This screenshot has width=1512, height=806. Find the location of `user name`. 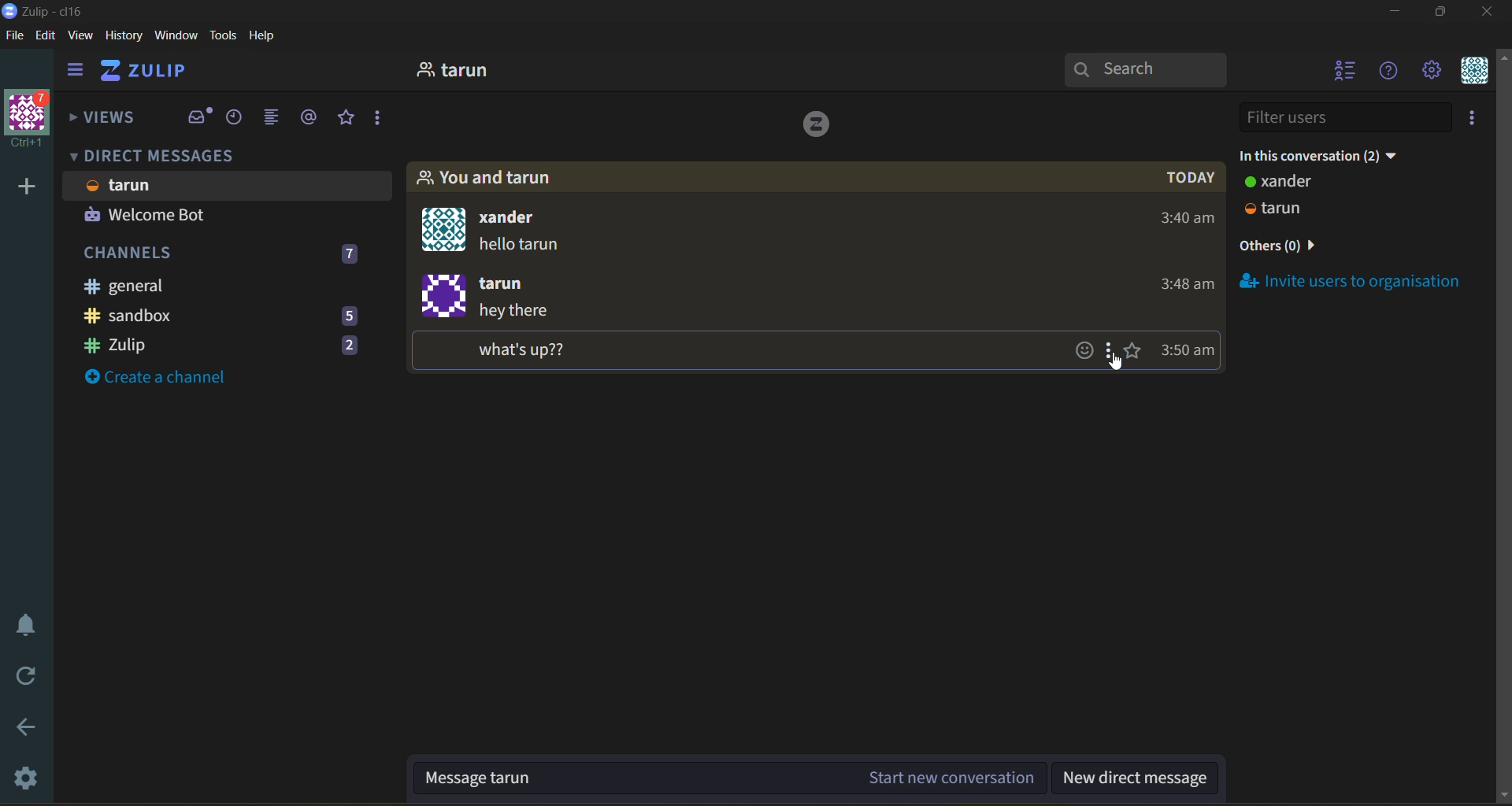

user name is located at coordinates (135, 187).